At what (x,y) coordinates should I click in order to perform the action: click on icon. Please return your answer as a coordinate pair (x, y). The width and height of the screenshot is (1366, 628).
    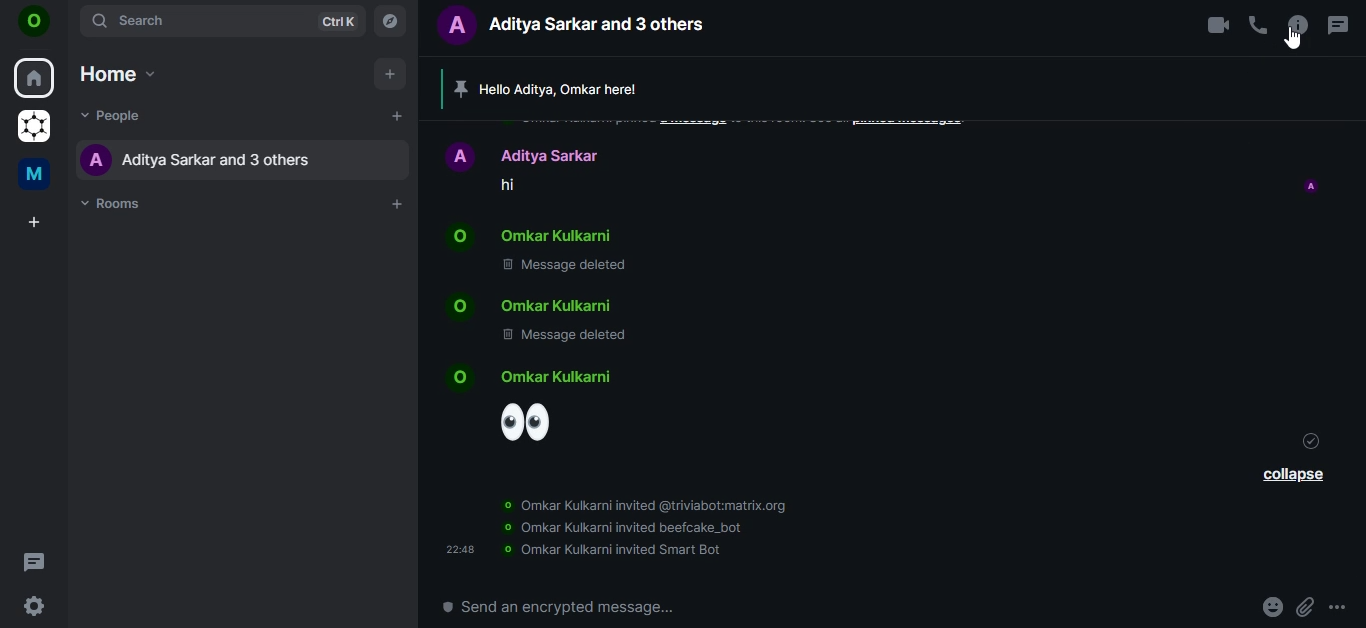
    Looking at the image, I should click on (34, 24).